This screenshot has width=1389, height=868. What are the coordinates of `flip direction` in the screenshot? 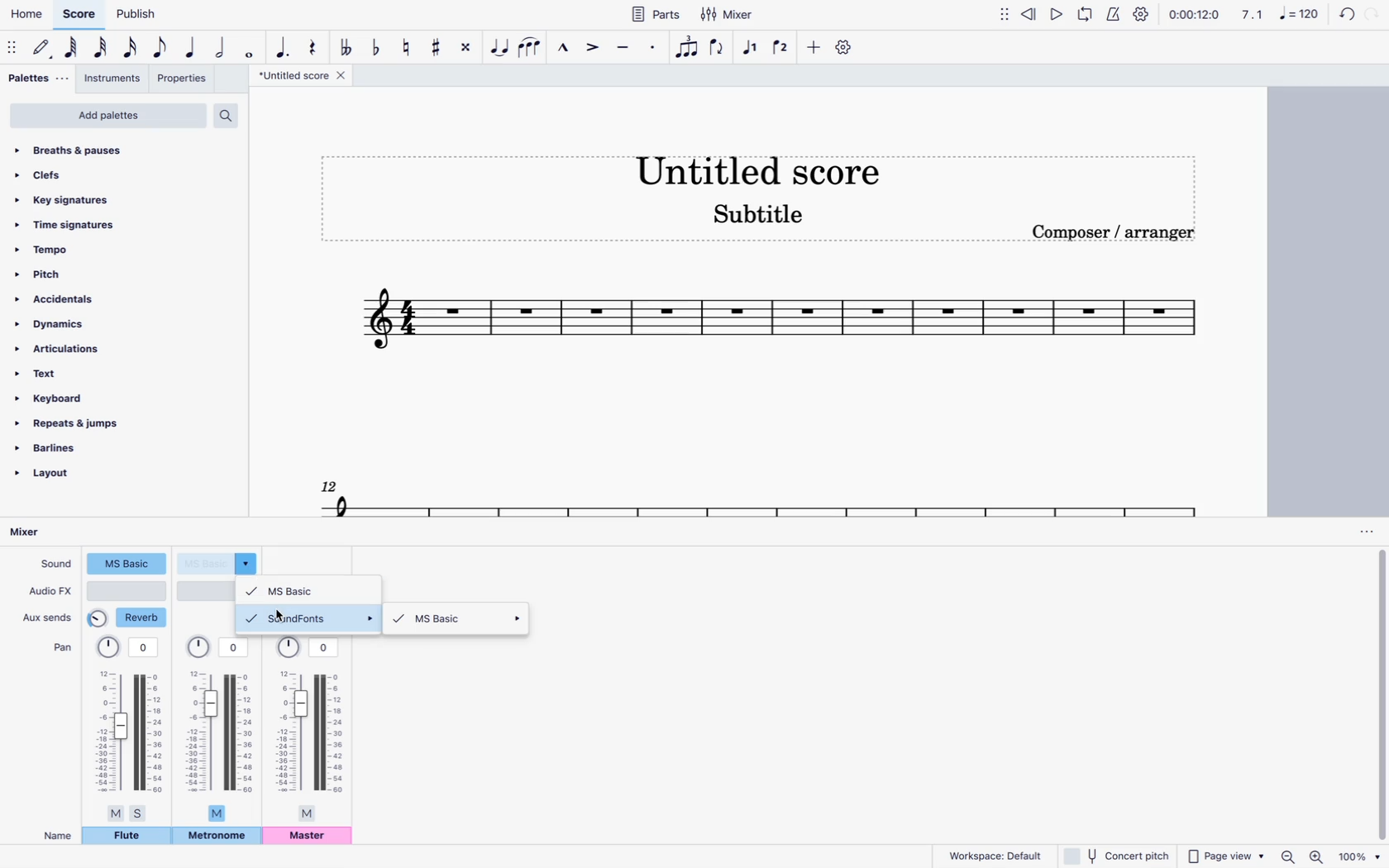 It's located at (719, 50).